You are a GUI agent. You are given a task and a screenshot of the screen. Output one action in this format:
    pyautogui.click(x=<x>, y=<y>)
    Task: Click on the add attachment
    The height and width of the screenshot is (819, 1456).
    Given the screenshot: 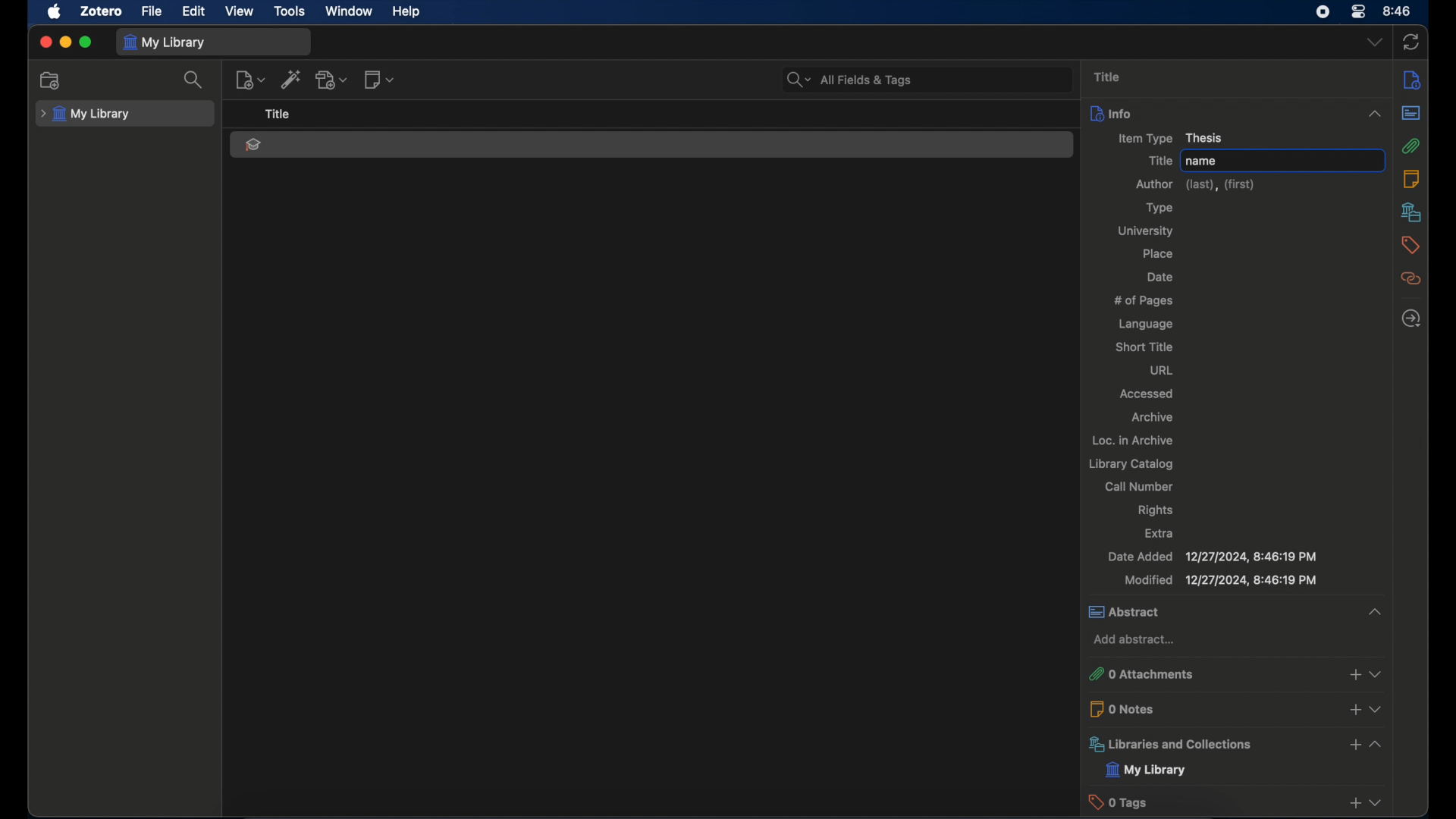 What is the action you would take?
    pyautogui.click(x=333, y=80)
    